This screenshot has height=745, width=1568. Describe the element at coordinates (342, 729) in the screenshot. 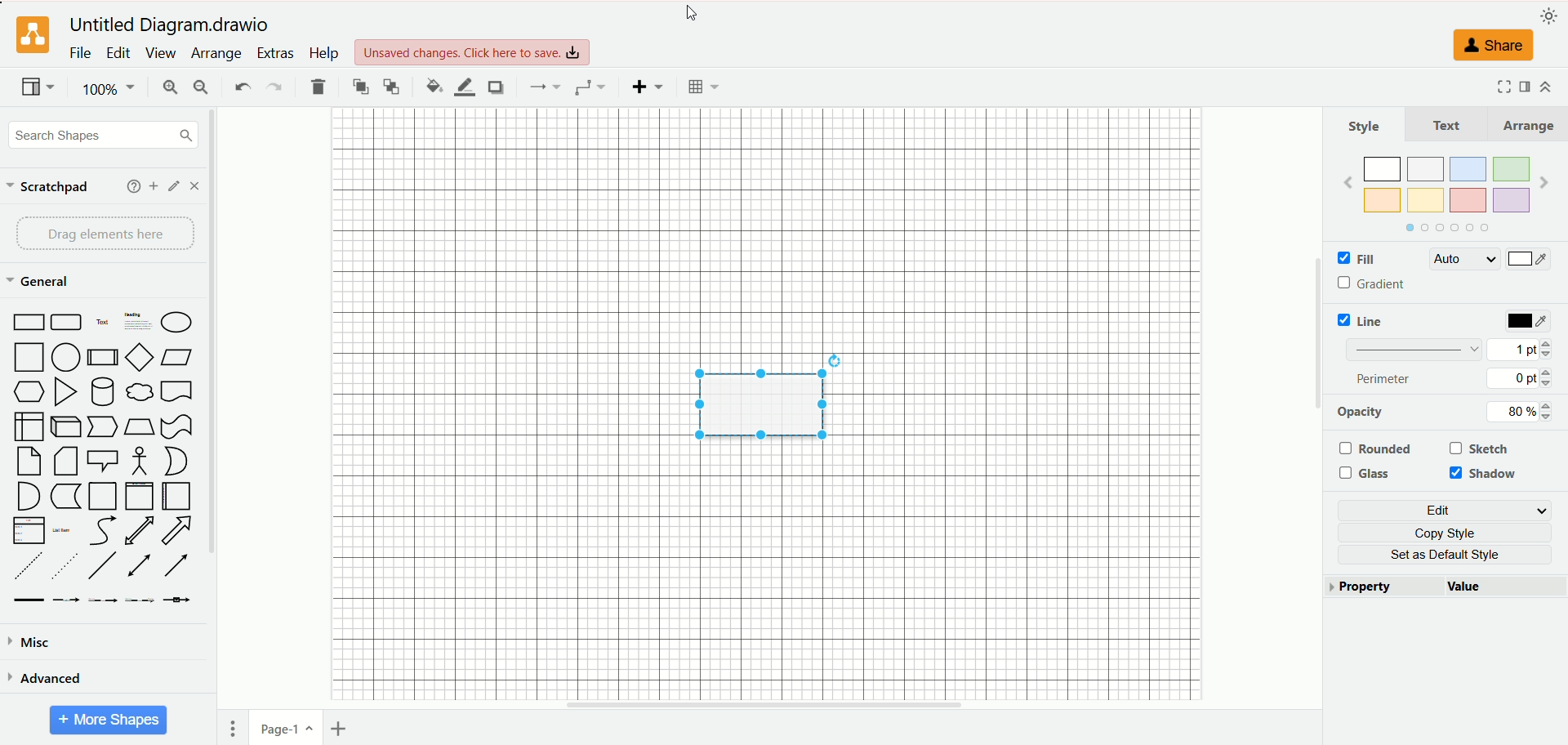

I see `insert page` at that location.